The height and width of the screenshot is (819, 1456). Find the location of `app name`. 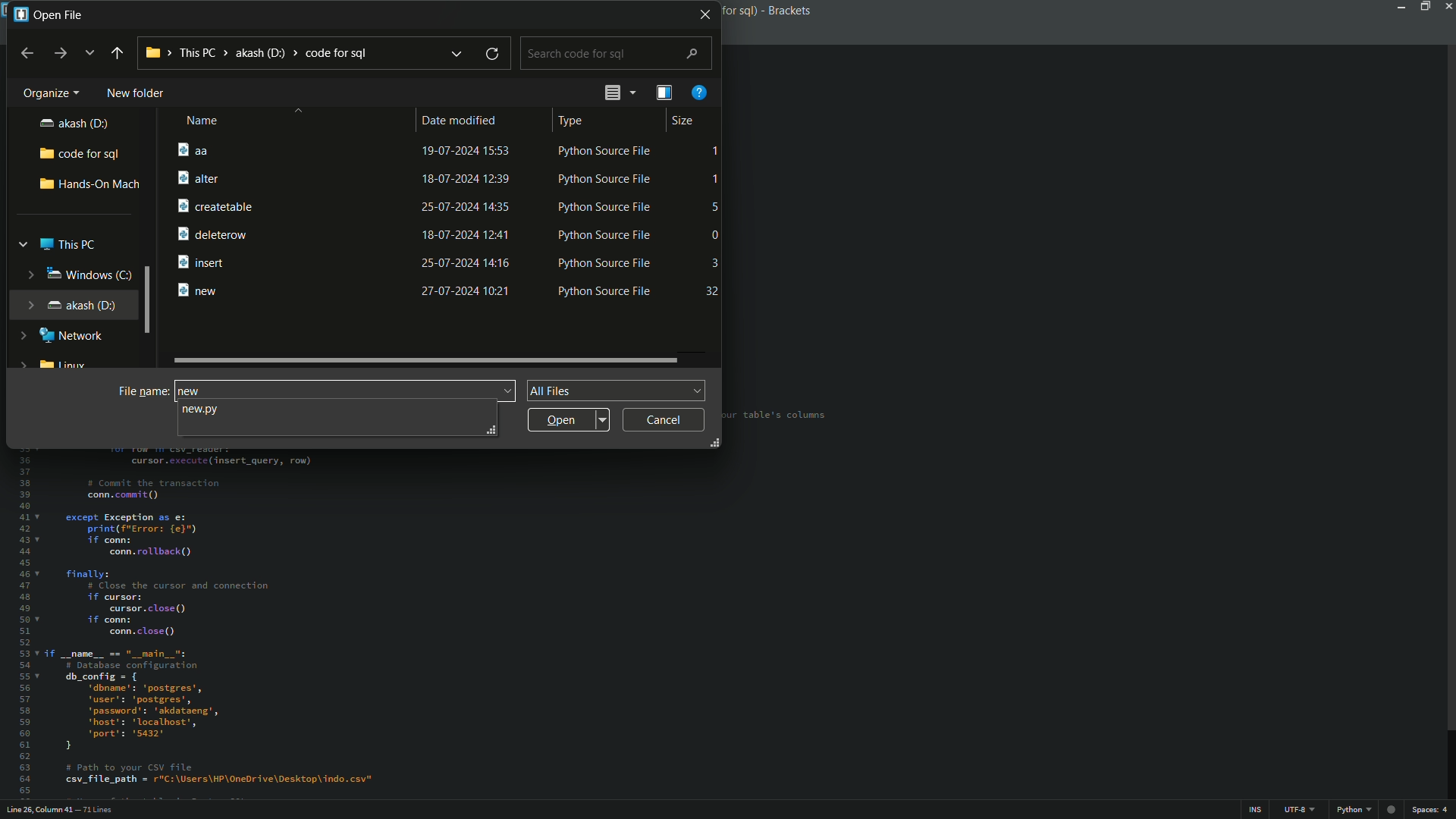

app name is located at coordinates (766, 11).